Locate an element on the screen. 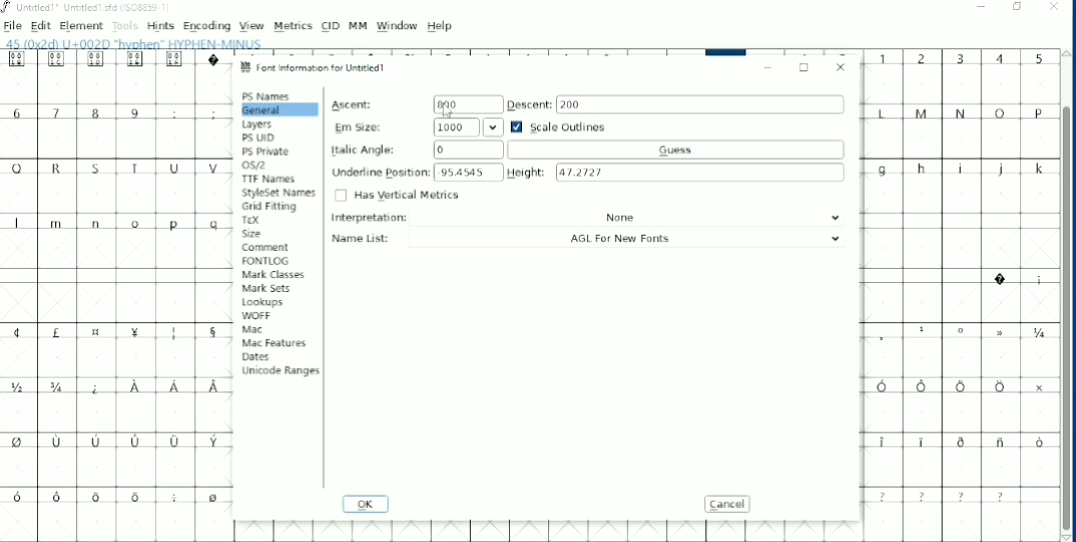 Image resolution: width=1076 pixels, height=542 pixels. Grid Fitting is located at coordinates (271, 207).